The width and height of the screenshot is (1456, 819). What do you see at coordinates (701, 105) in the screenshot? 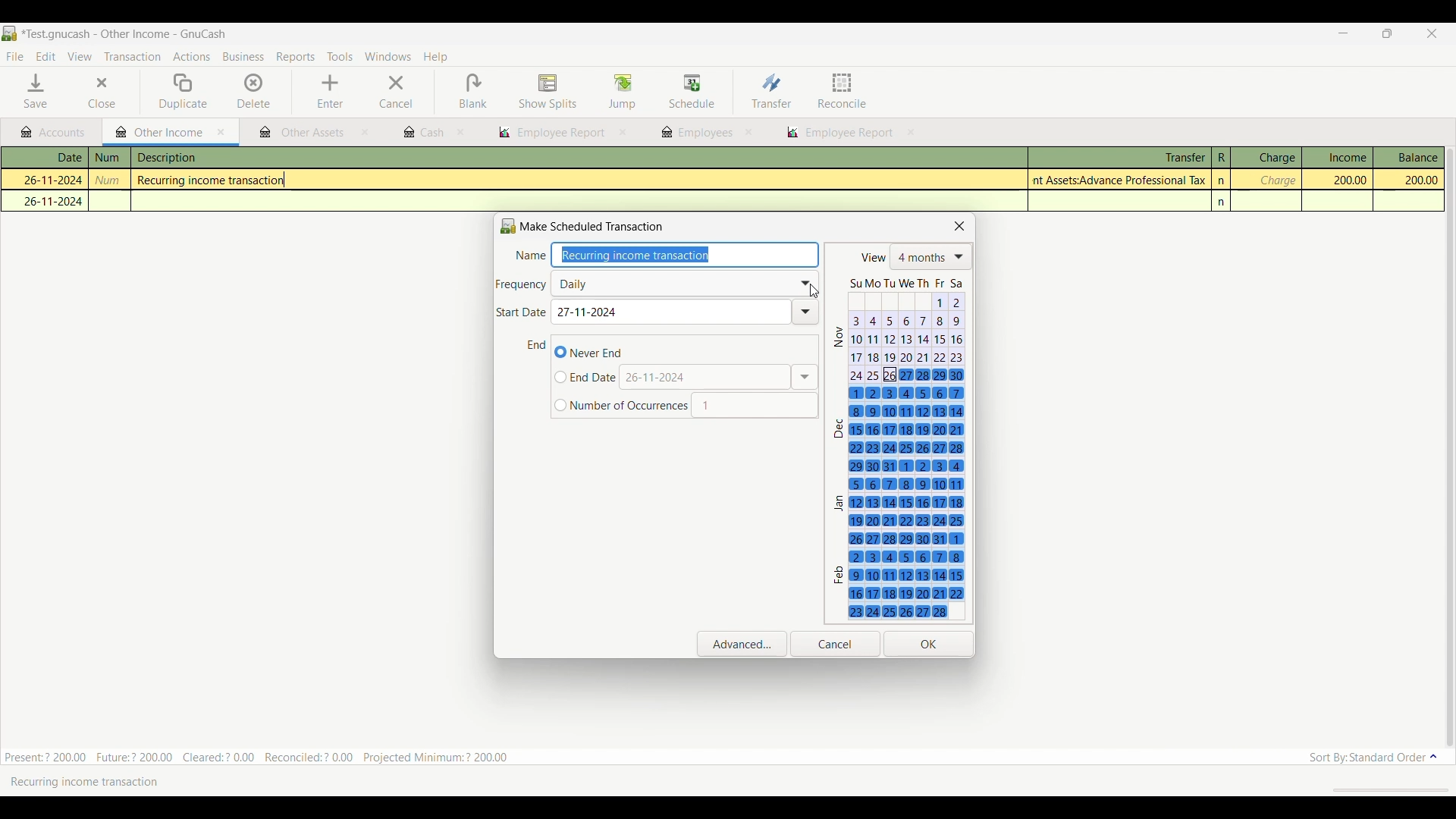
I see `cursor` at bounding box center [701, 105].